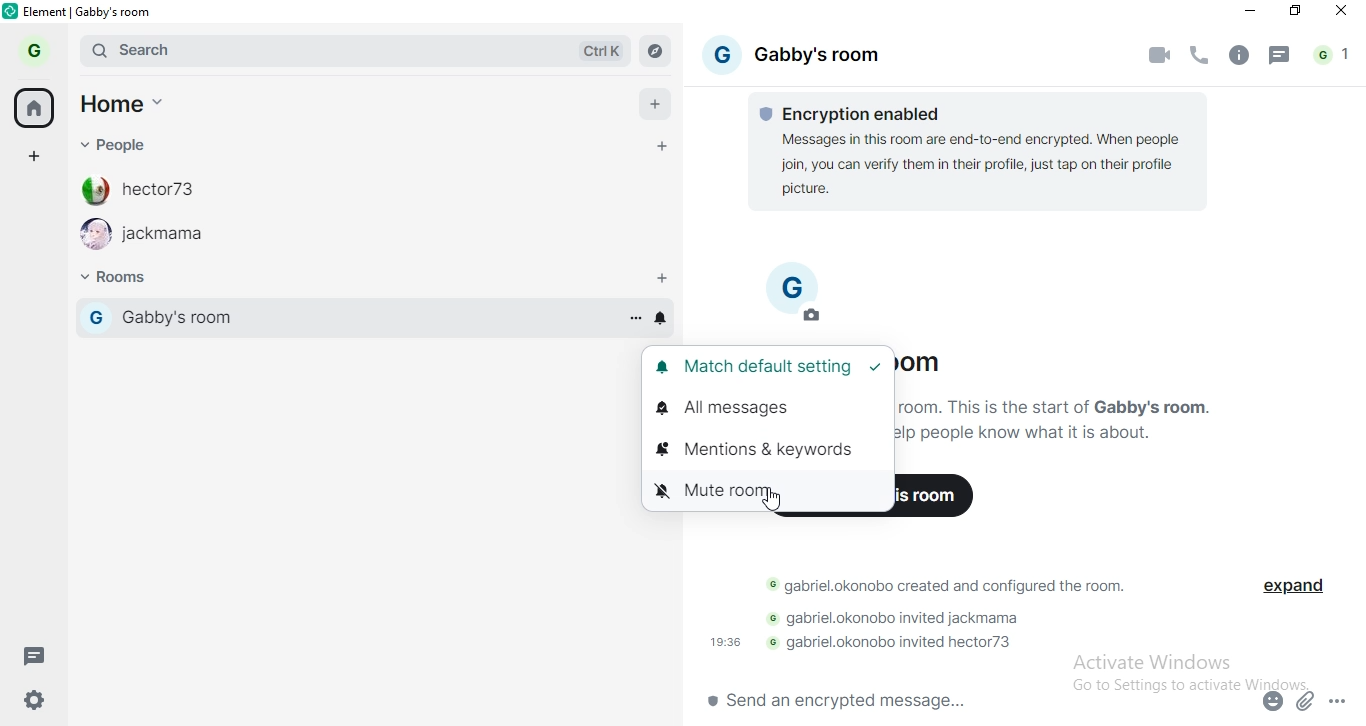  What do you see at coordinates (35, 48) in the screenshot?
I see `profile` at bounding box center [35, 48].